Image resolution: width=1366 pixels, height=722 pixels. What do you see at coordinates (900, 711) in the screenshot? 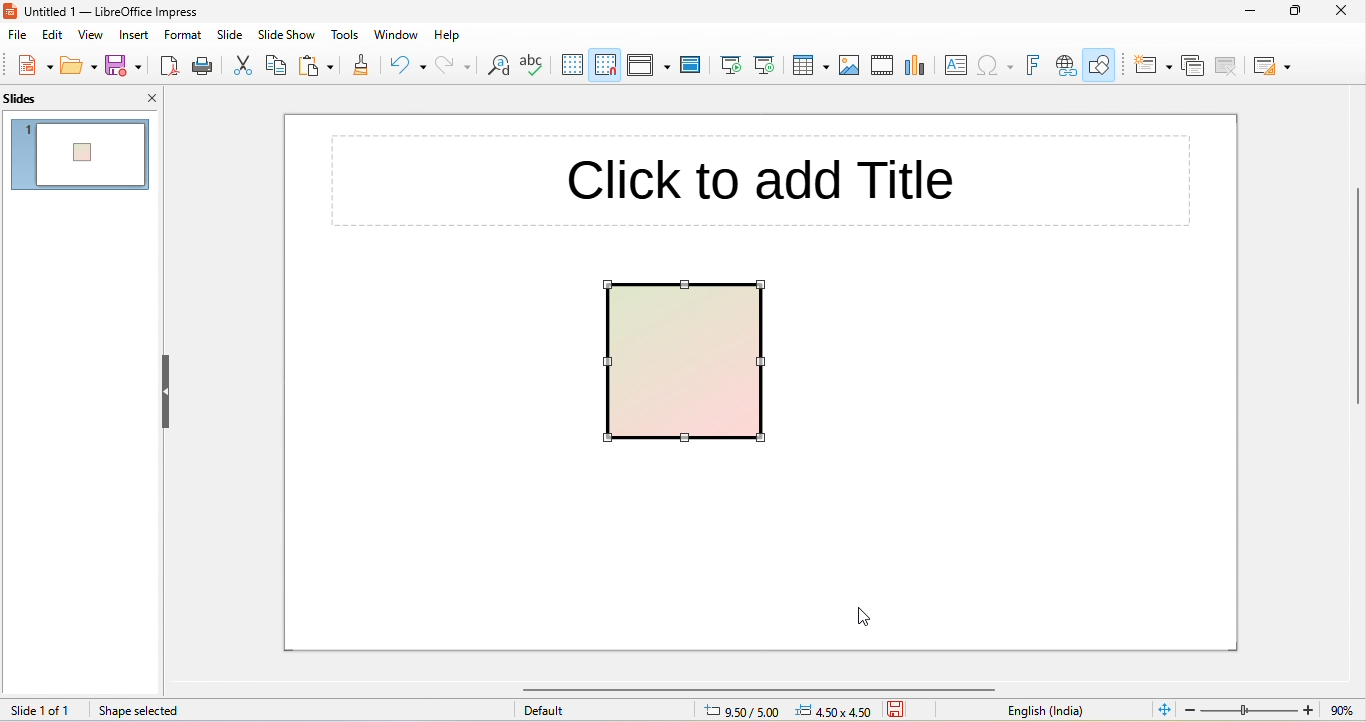
I see `save` at bounding box center [900, 711].